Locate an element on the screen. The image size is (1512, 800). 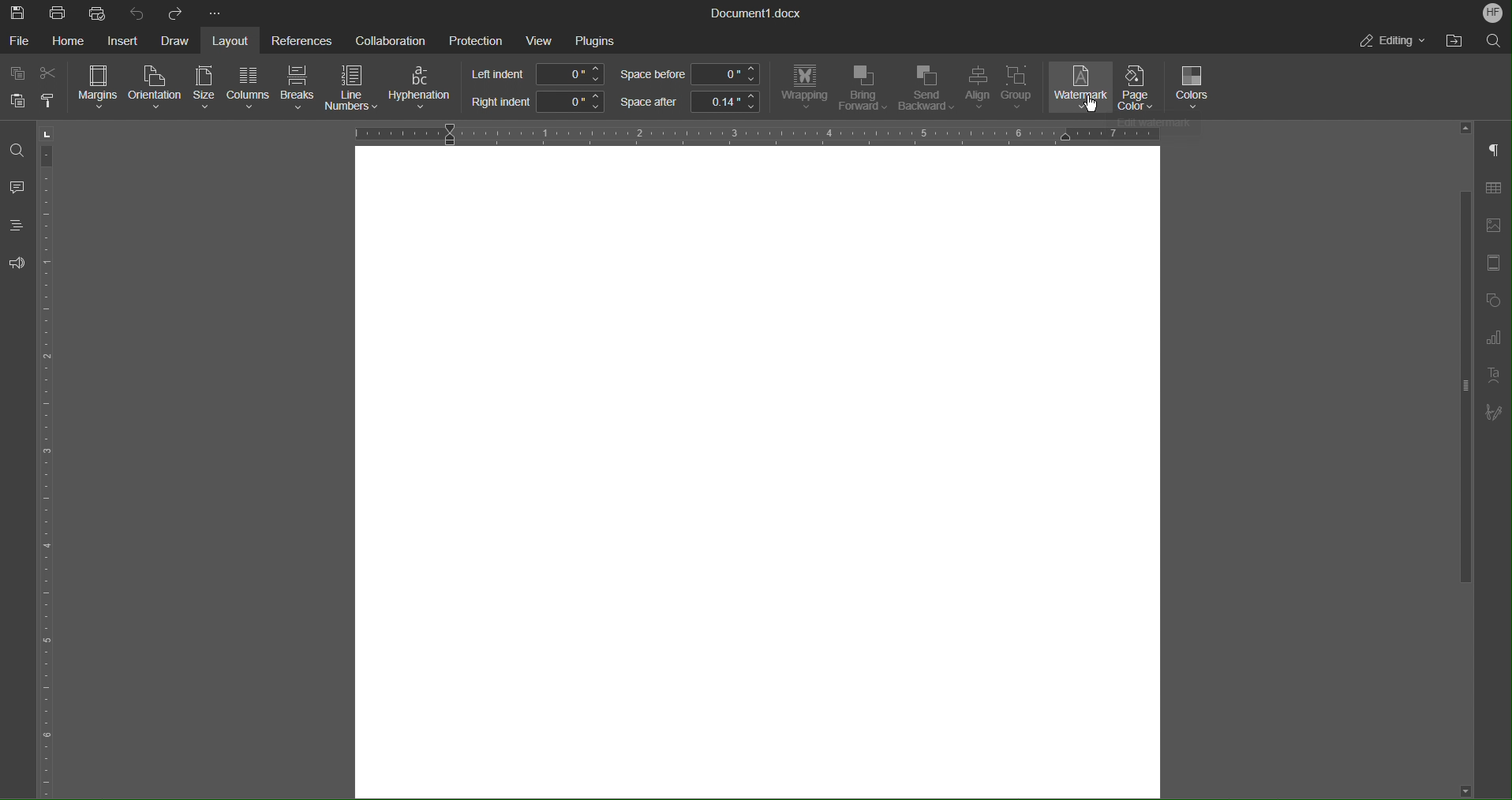
Signature is located at coordinates (1494, 413).